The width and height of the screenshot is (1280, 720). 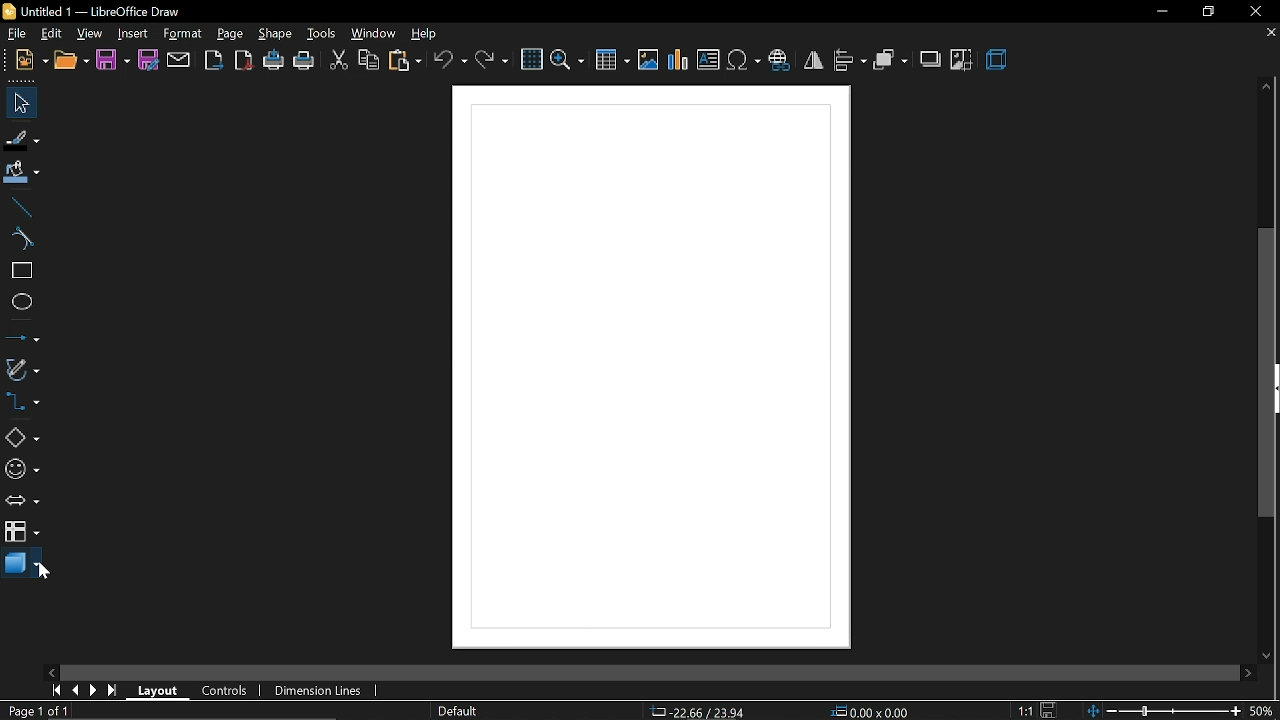 What do you see at coordinates (891, 60) in the screenshot?
I see `arrange` at bounding box center [891, 60].